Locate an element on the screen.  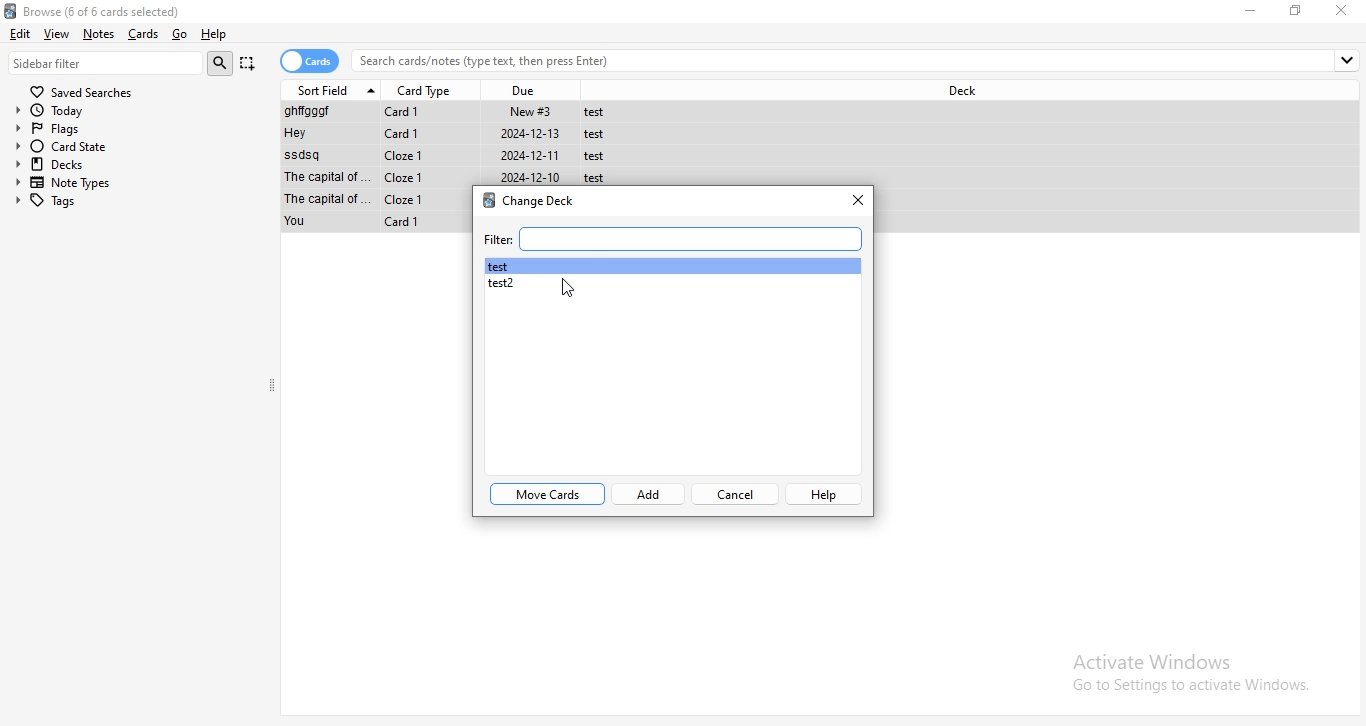
Cards is located at coordinates (146, 34).